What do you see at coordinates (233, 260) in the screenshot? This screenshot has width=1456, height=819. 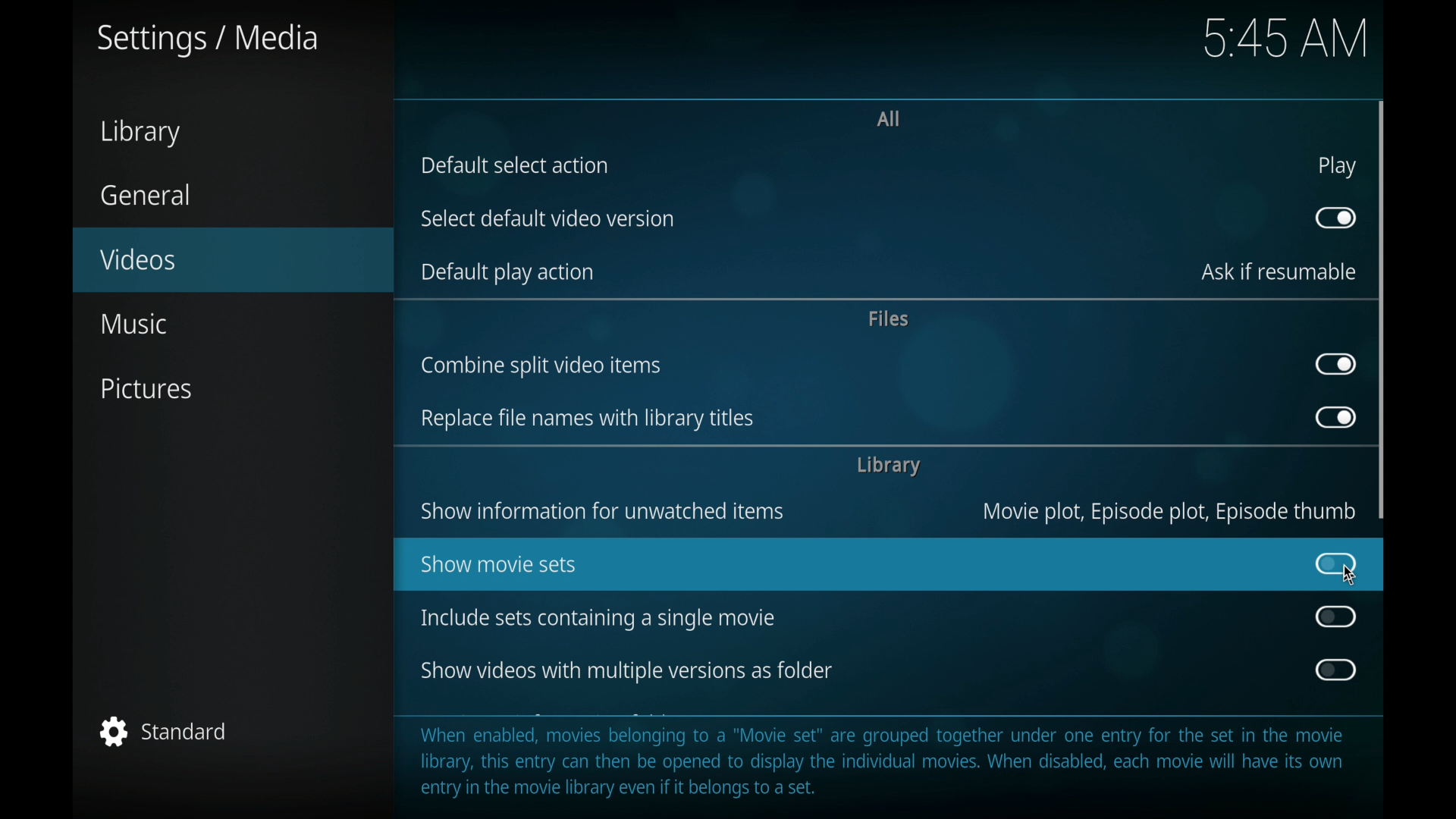 I see `videos` at bounding box center [233, 260].